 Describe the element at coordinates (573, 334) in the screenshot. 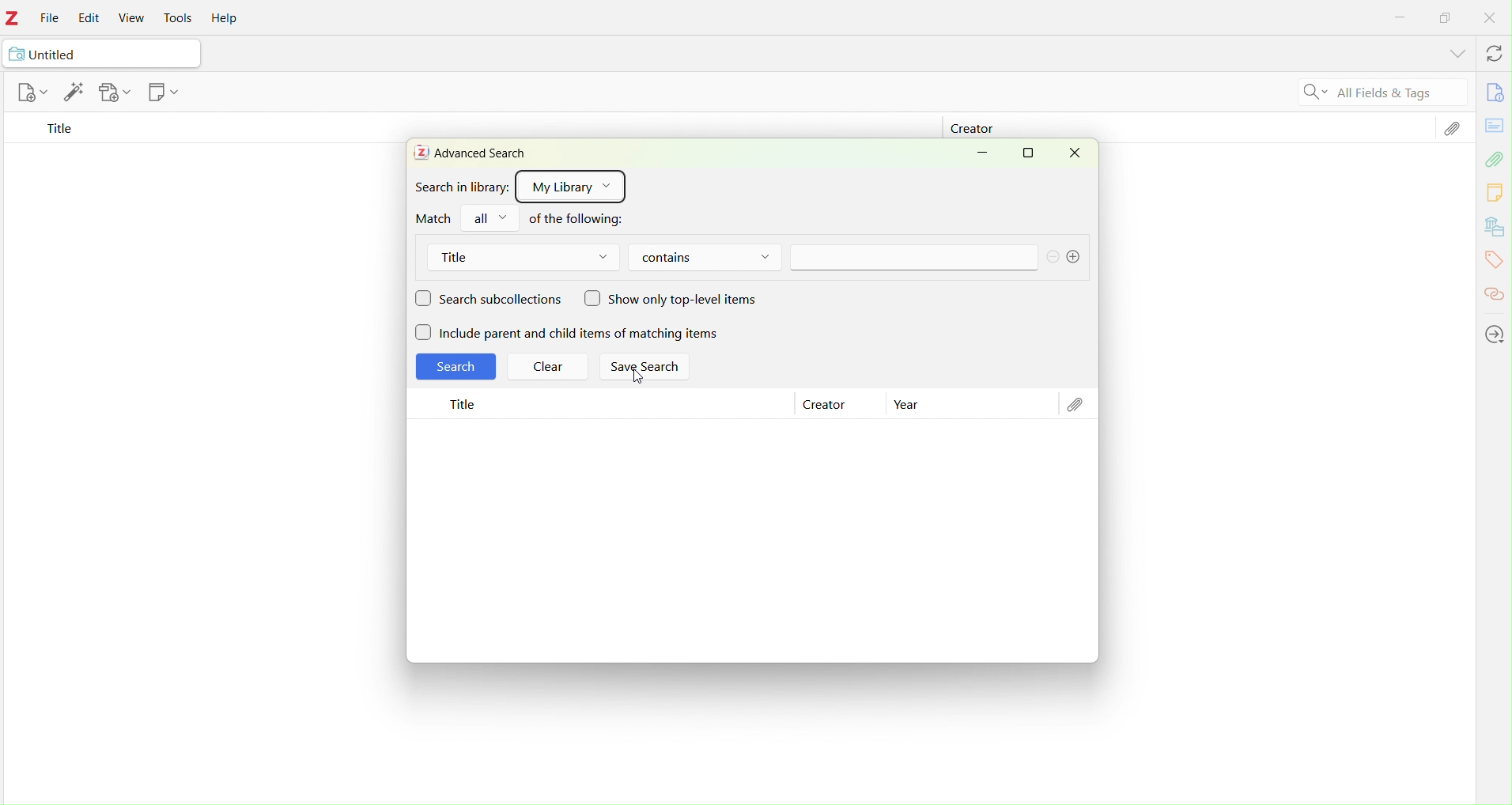

I see `include parent and child items of matching items` at that location.